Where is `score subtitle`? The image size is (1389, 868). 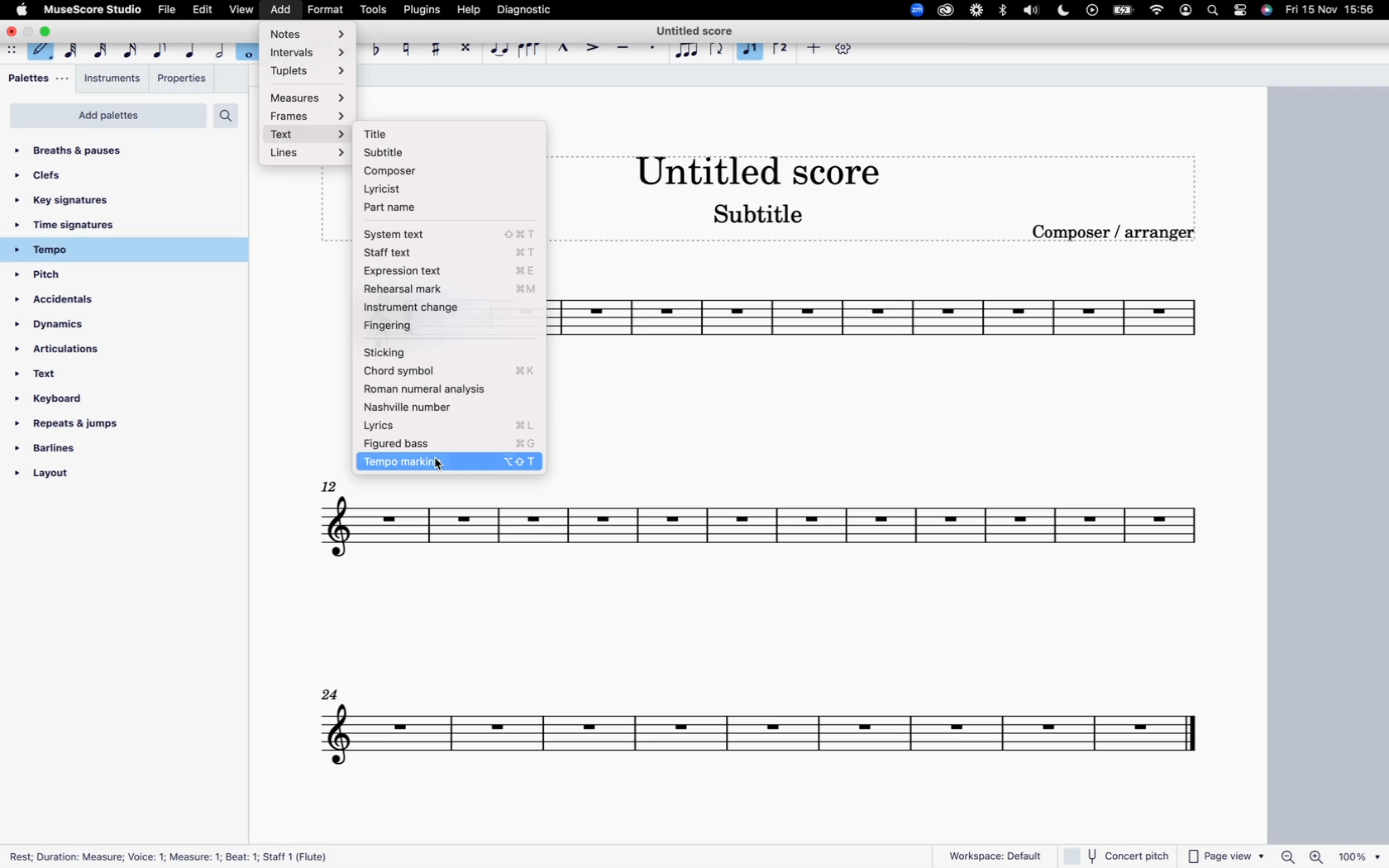 score subtitle is located at coordinates (769, 215).